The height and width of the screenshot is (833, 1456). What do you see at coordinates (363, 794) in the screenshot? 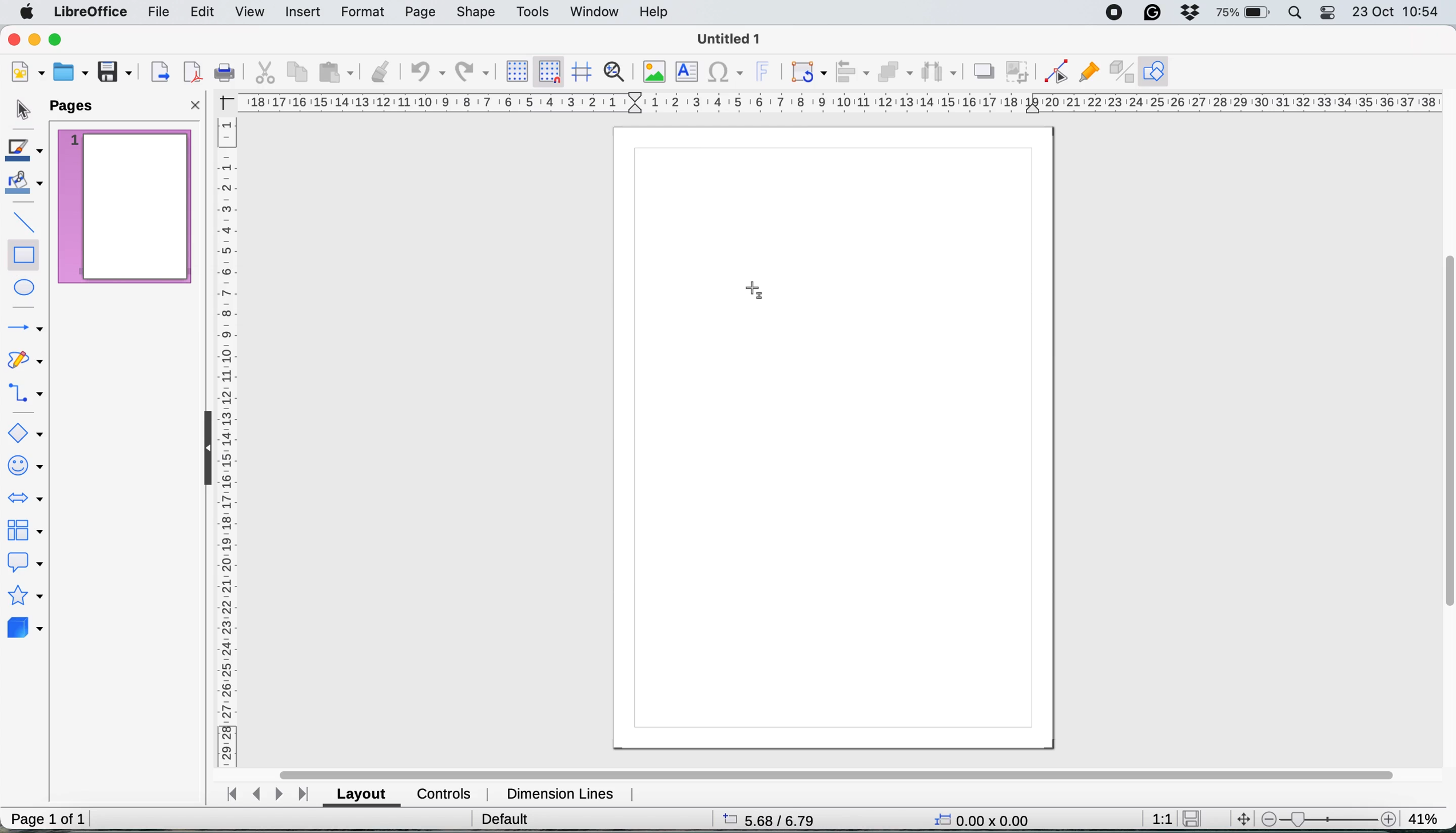
I see `layout` at bounding box center [363, 794].